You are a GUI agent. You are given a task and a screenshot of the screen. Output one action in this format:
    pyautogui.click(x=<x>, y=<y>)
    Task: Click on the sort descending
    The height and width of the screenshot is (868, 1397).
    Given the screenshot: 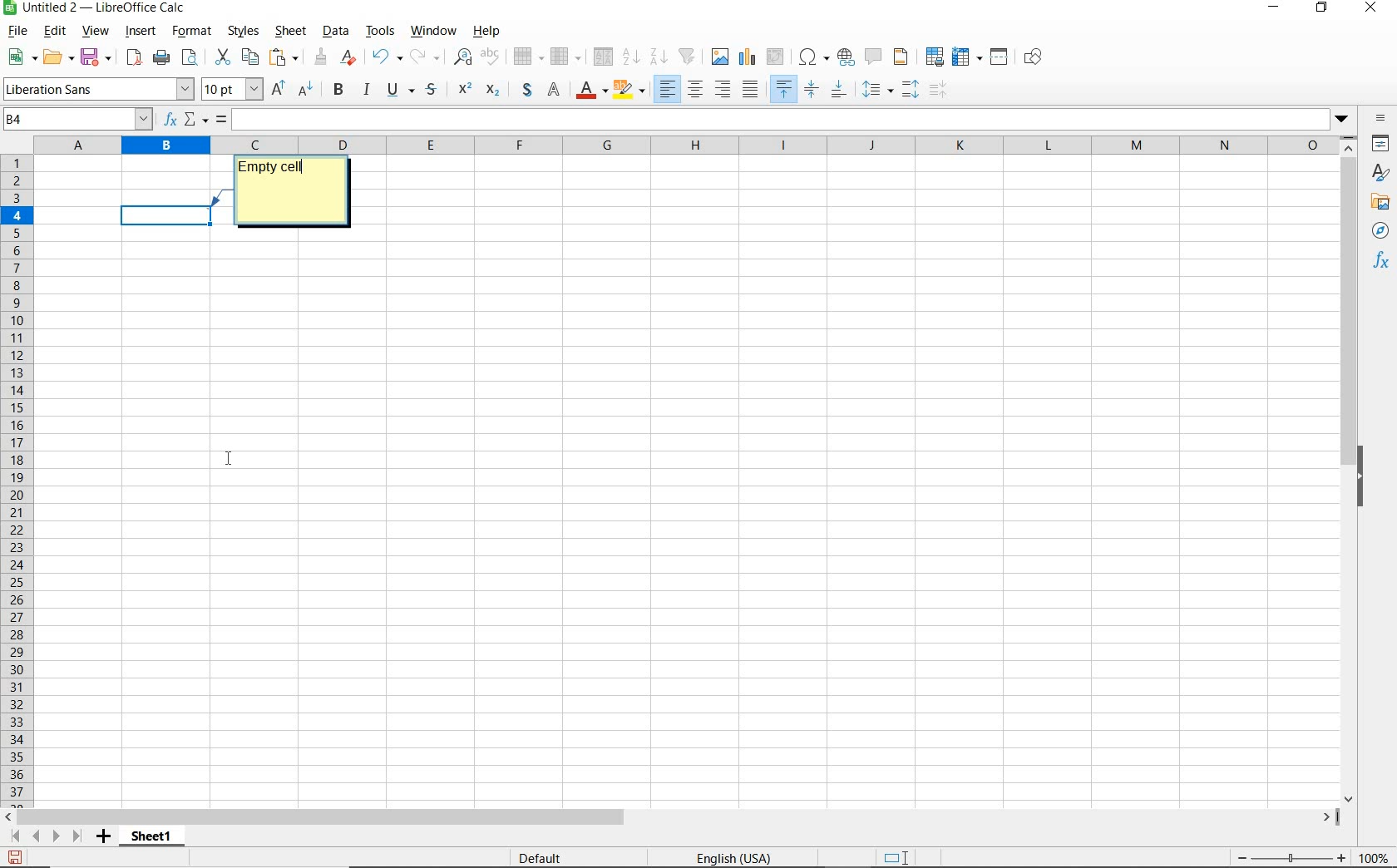 What is the action you would take?
    pyautogui.click(x=660, y=59)
    